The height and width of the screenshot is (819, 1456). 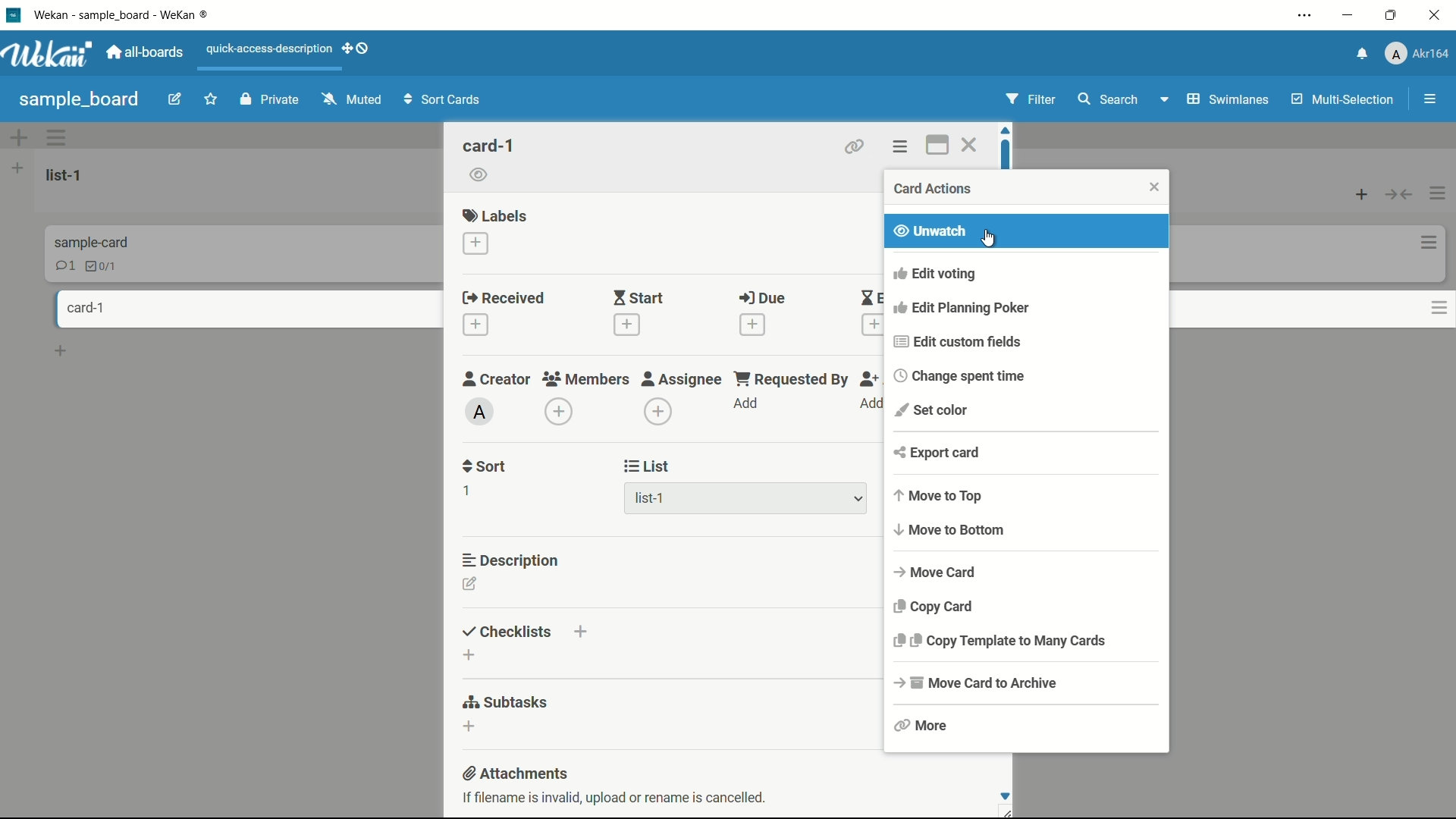 I want to click on add date, so click(x=626, y=325).